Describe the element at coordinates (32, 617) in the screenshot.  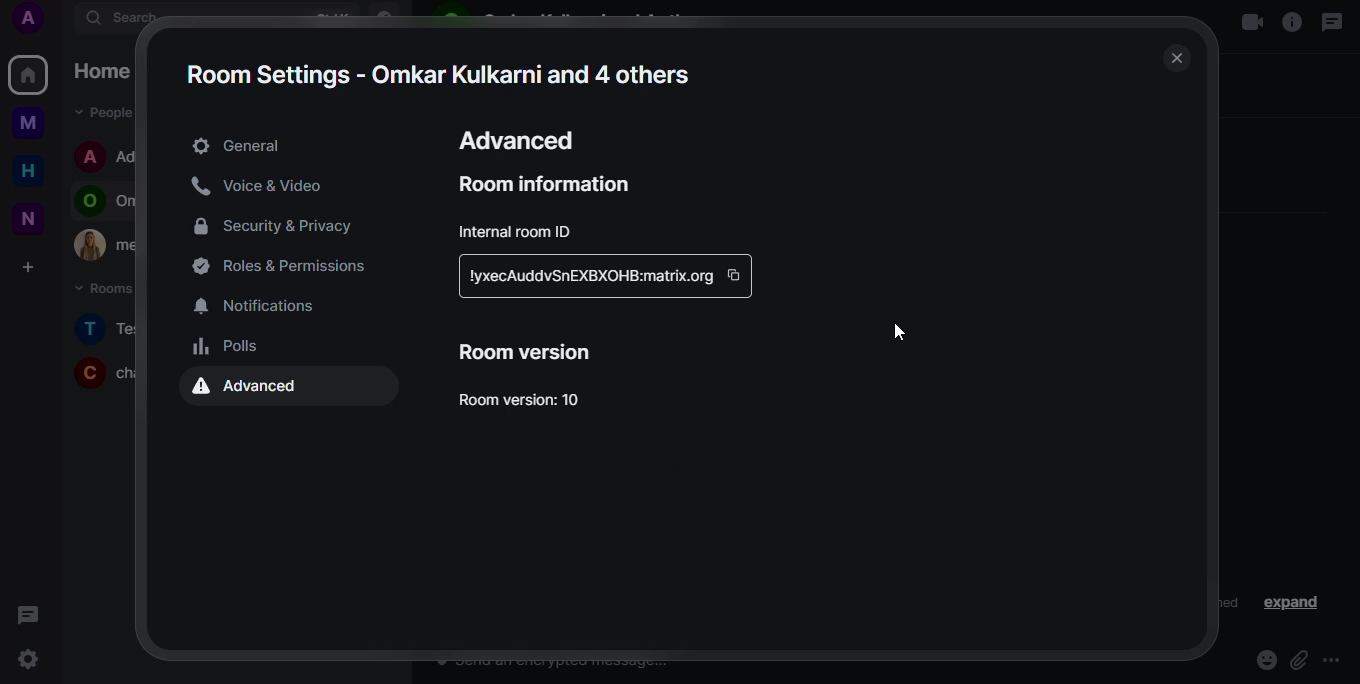
I see `threads` at that location.